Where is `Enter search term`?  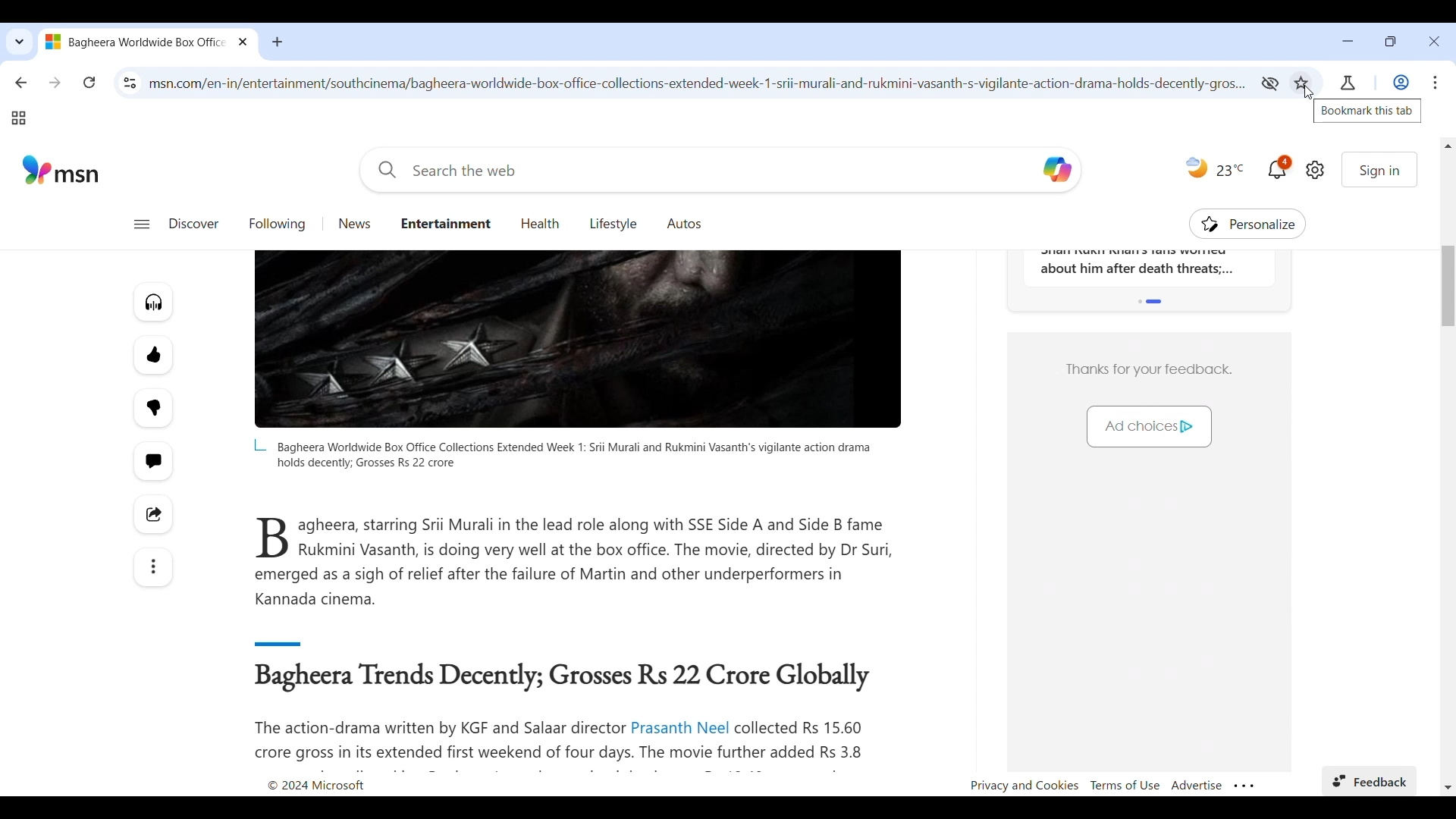
Enter search term is located at coordinates (698, 170).